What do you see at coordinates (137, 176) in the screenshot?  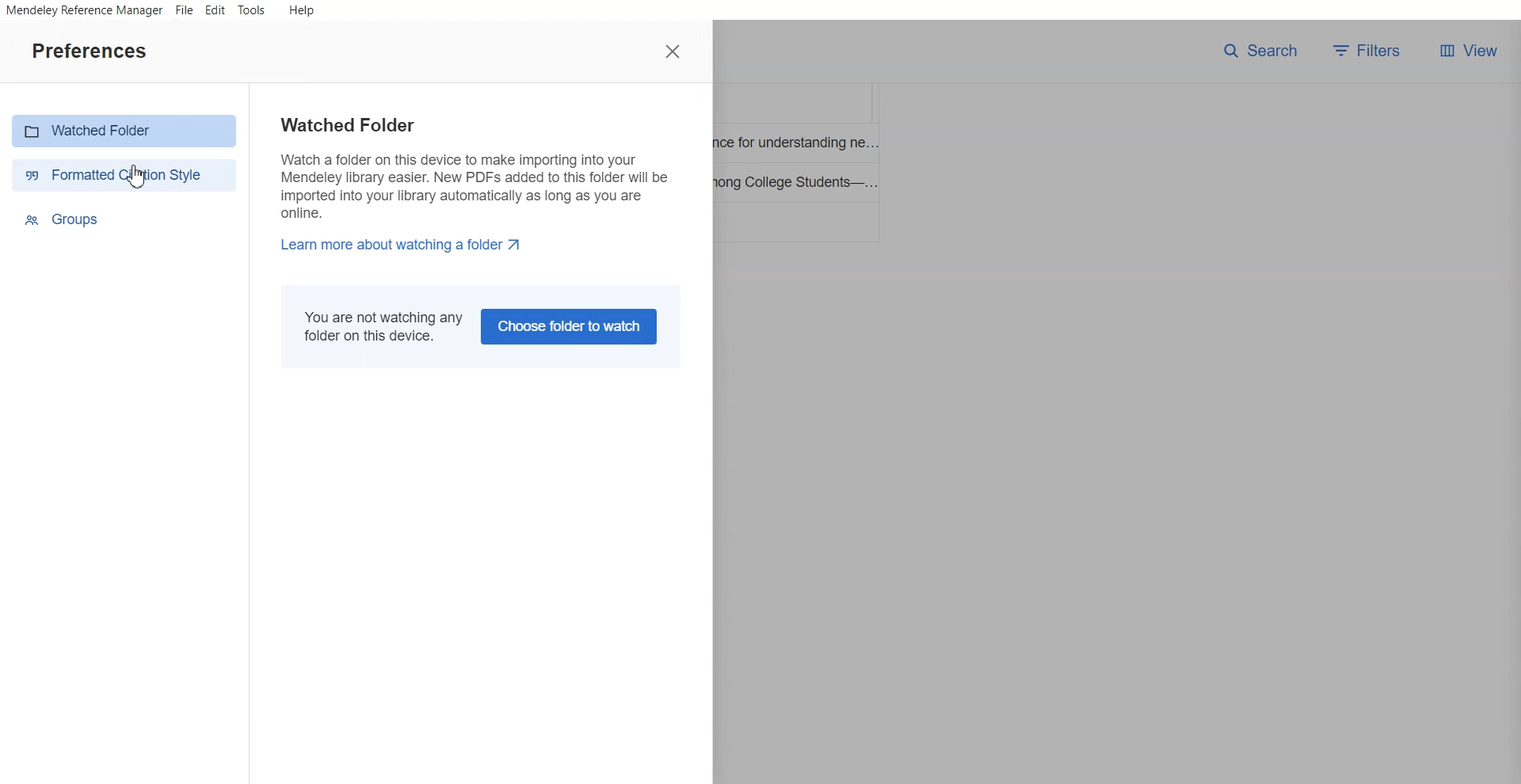 I see `Cursor` at bounding box center [137, 176].